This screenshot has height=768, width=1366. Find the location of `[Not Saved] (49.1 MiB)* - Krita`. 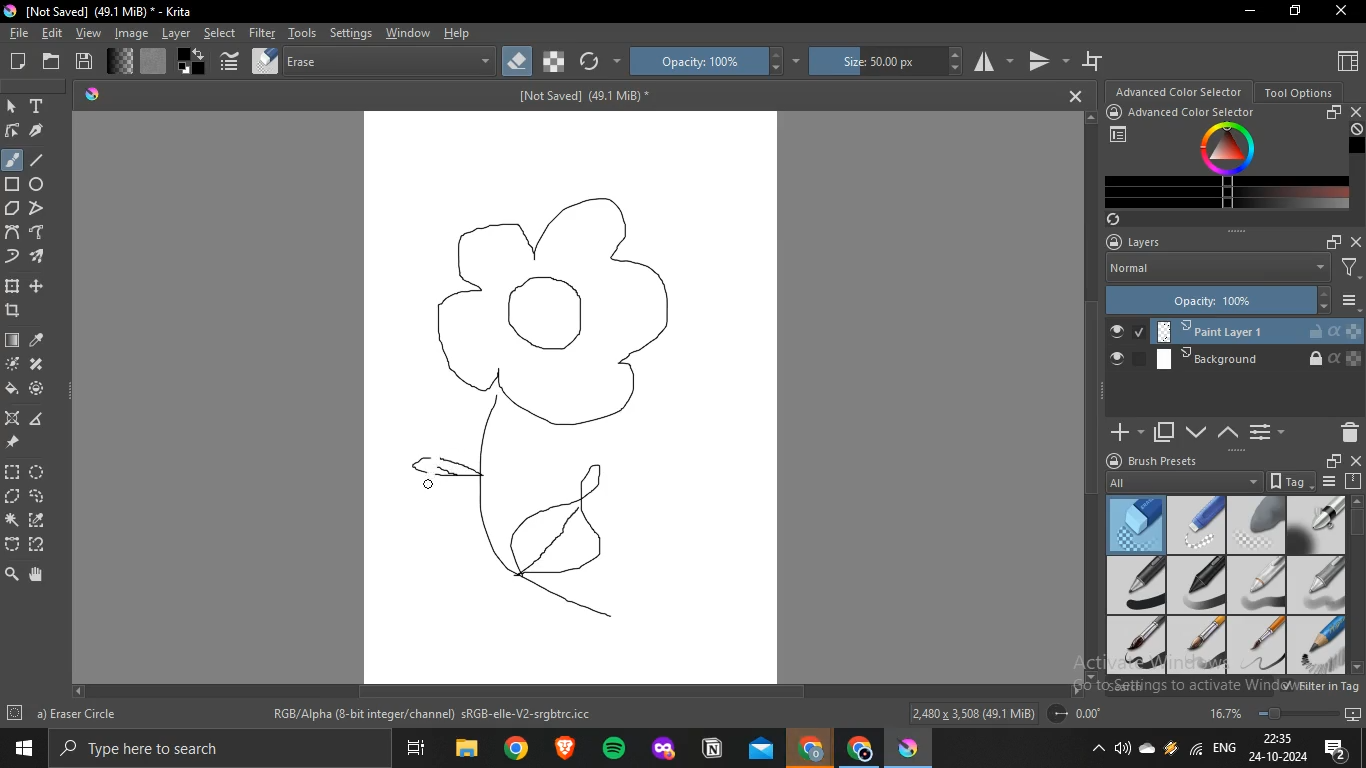

[Not Saved] (49.1 MiB)* - Krita is located at coordinates (116, 13).